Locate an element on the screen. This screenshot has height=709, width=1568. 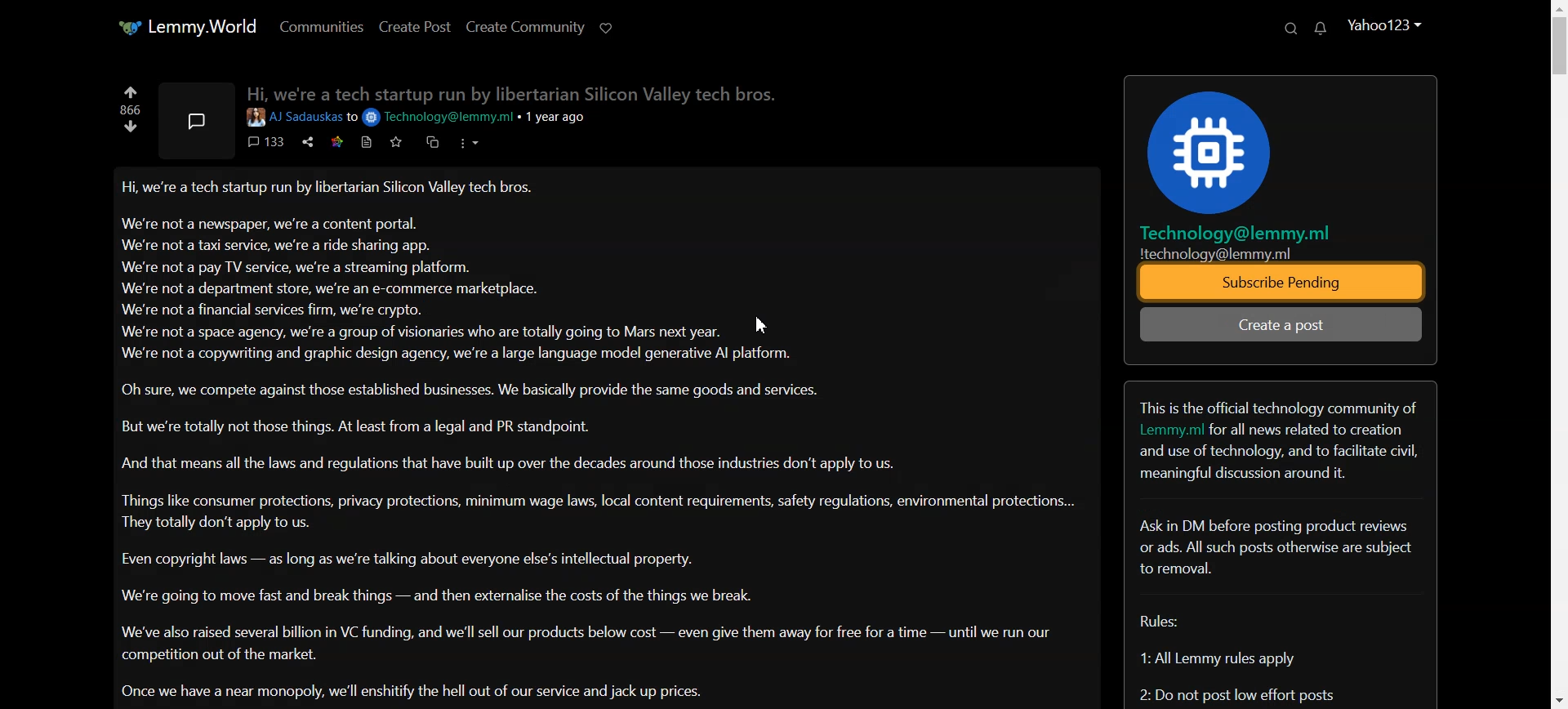
1 year ago is located at coordinates (552, 116).